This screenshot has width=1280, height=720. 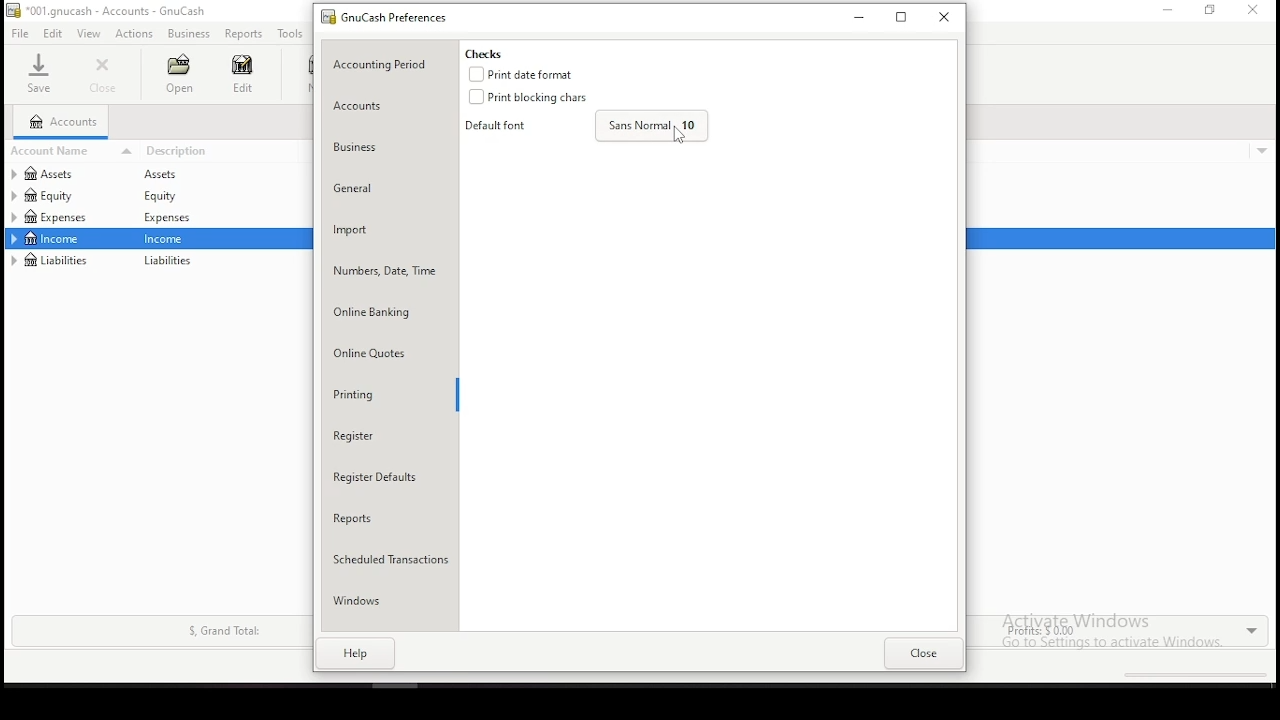 I want to click on edit, so click(x=242, y=73).